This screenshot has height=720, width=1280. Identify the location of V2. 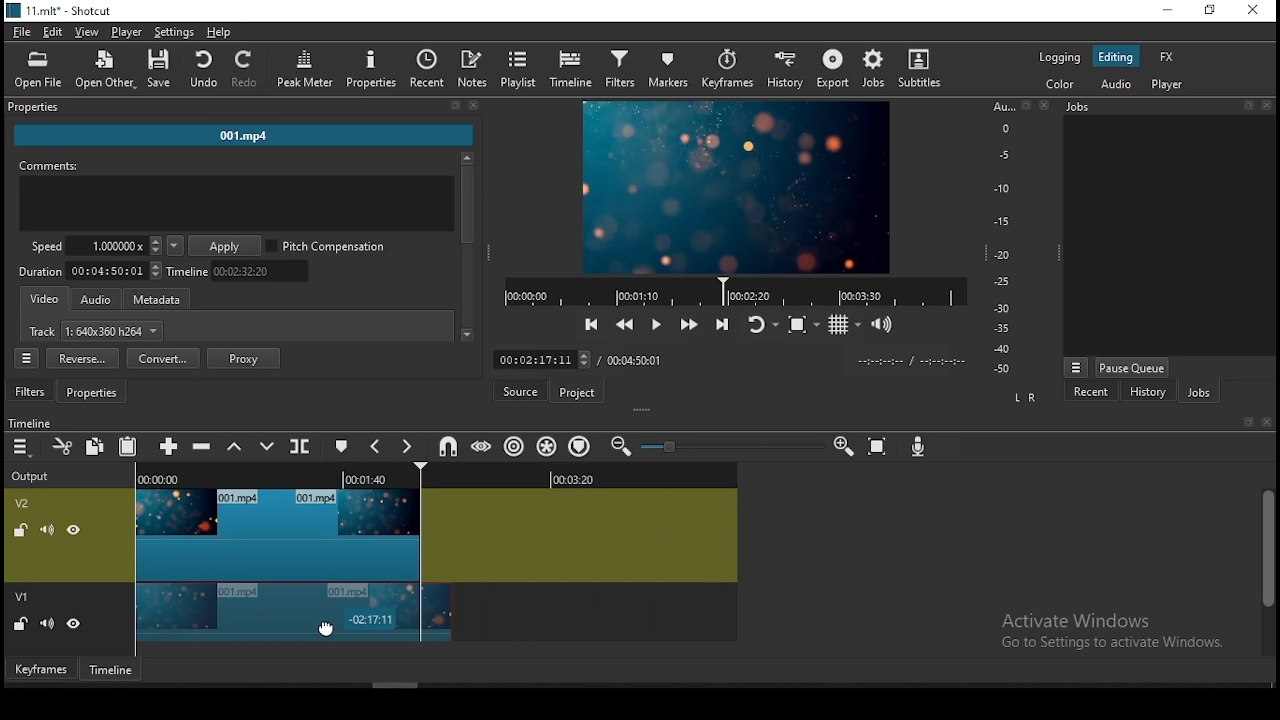
(25, 503).